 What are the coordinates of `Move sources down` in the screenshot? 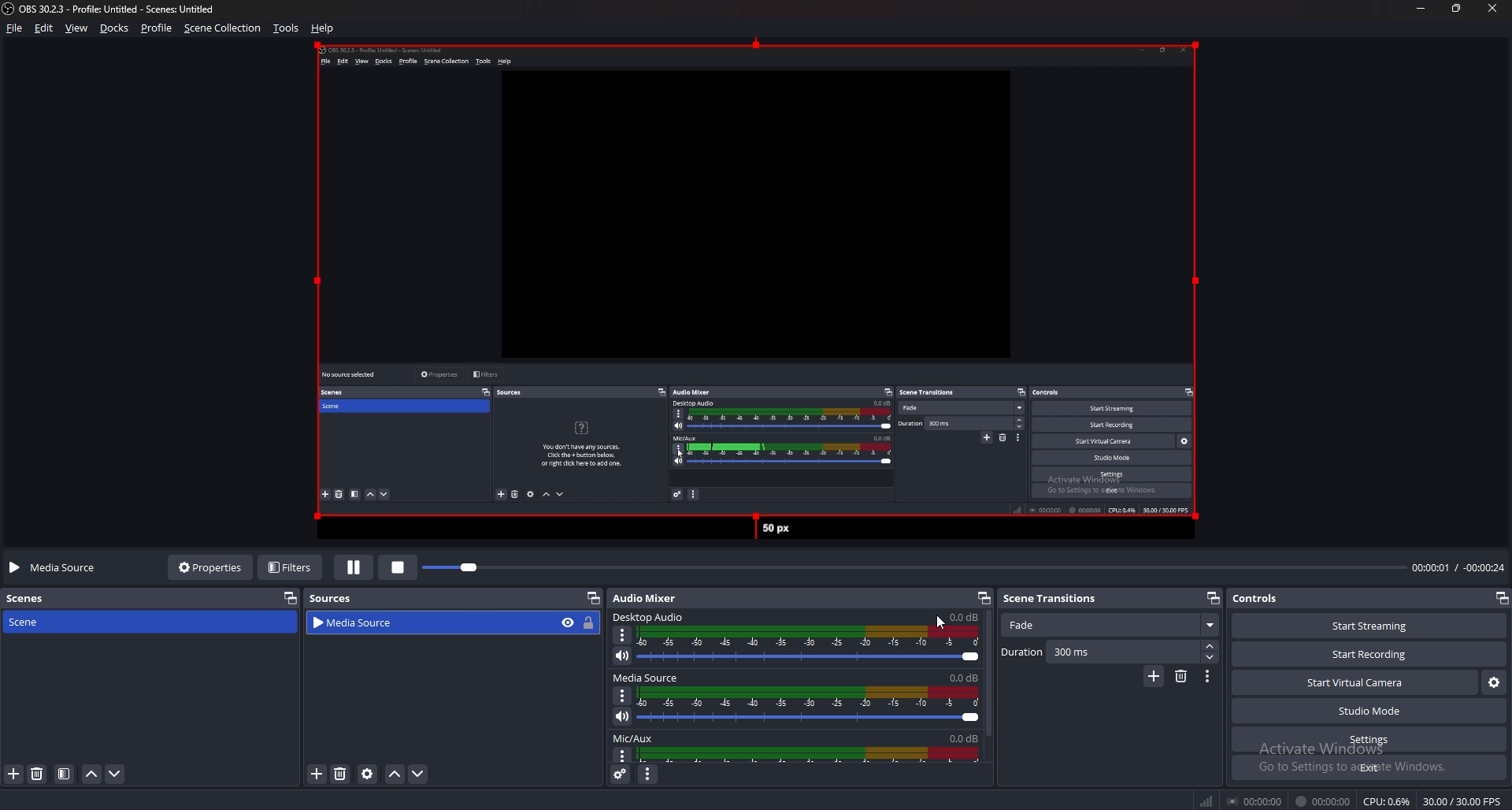 It's located at (417, 774).